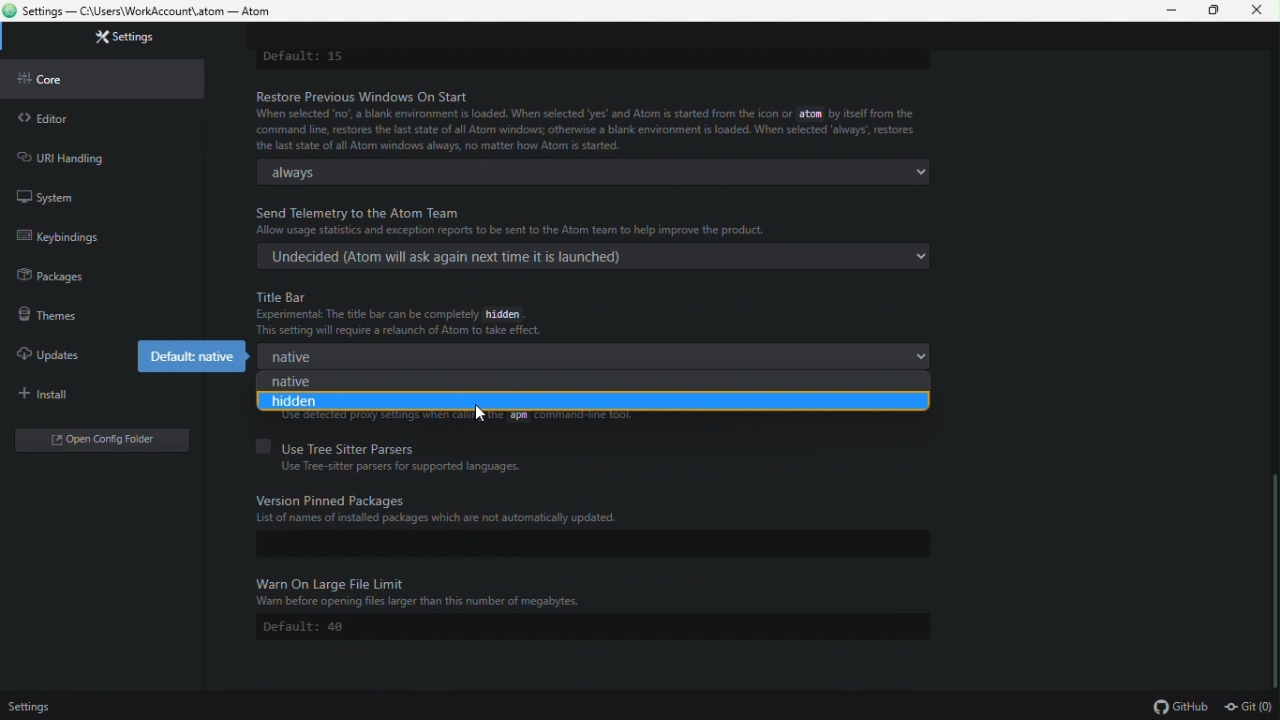  What do you see at coordinates (1258, 11) in the screenshot?
I see `close` at bounding box center [1258, 11].